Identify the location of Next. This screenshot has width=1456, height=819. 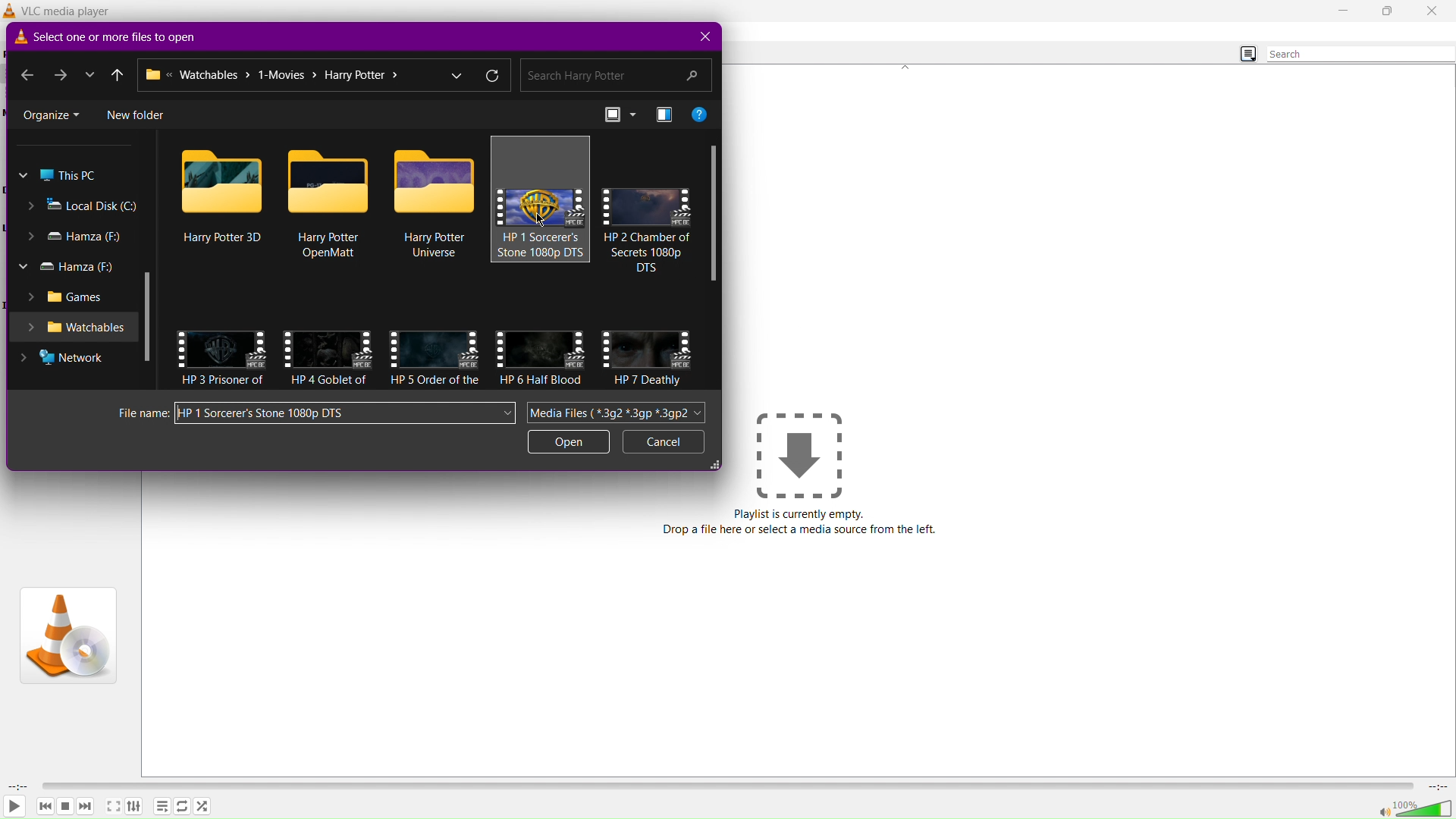
(61, 74).